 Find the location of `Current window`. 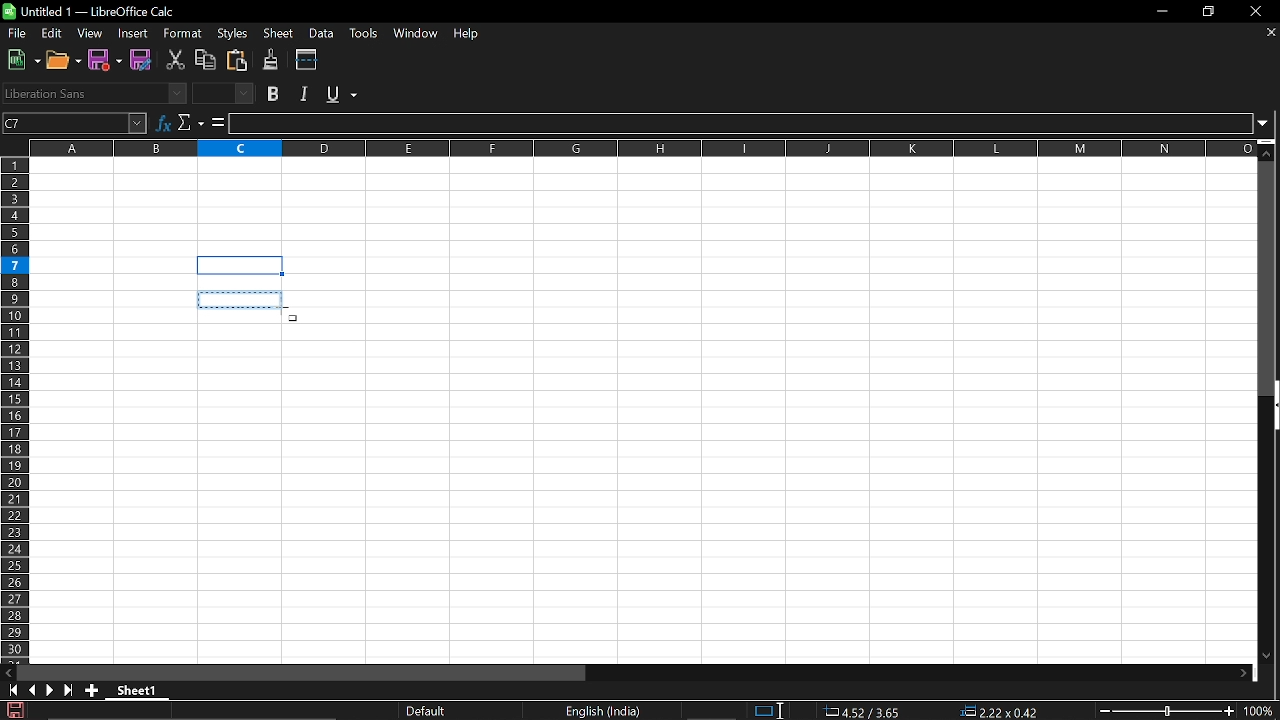

Current window is located at coordinates (93, 11).